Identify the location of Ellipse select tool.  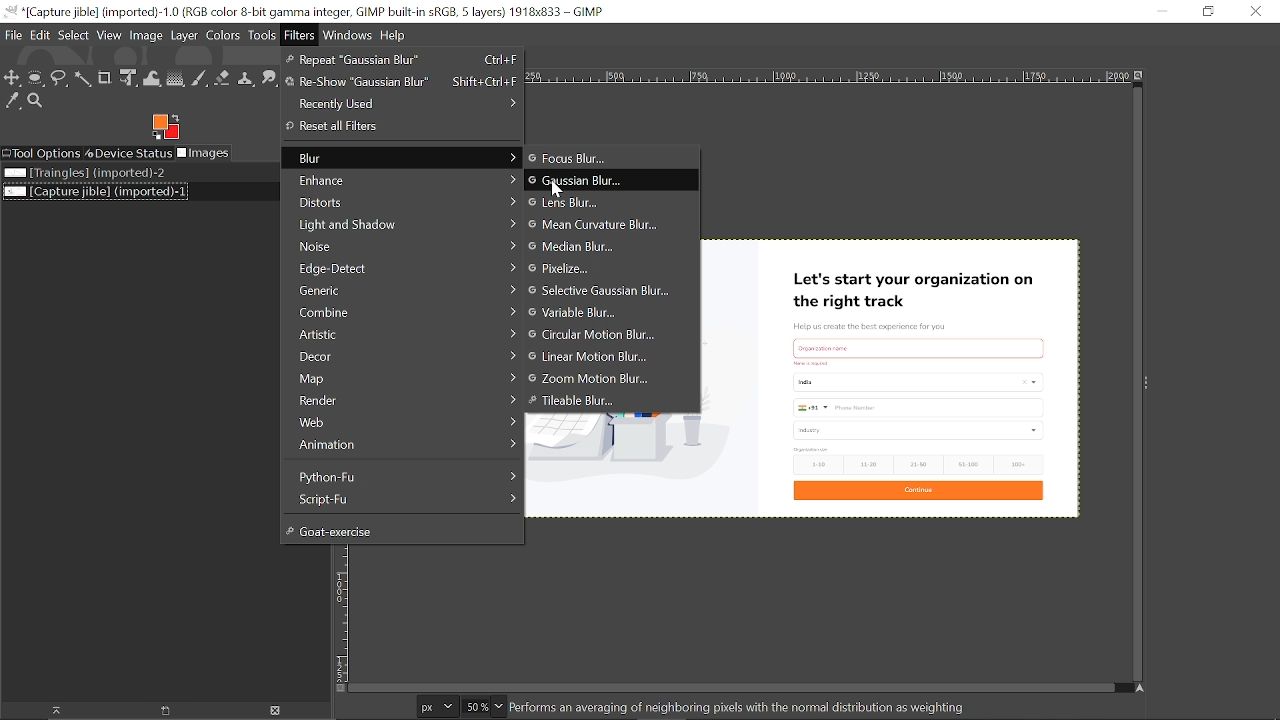
(36, 79).